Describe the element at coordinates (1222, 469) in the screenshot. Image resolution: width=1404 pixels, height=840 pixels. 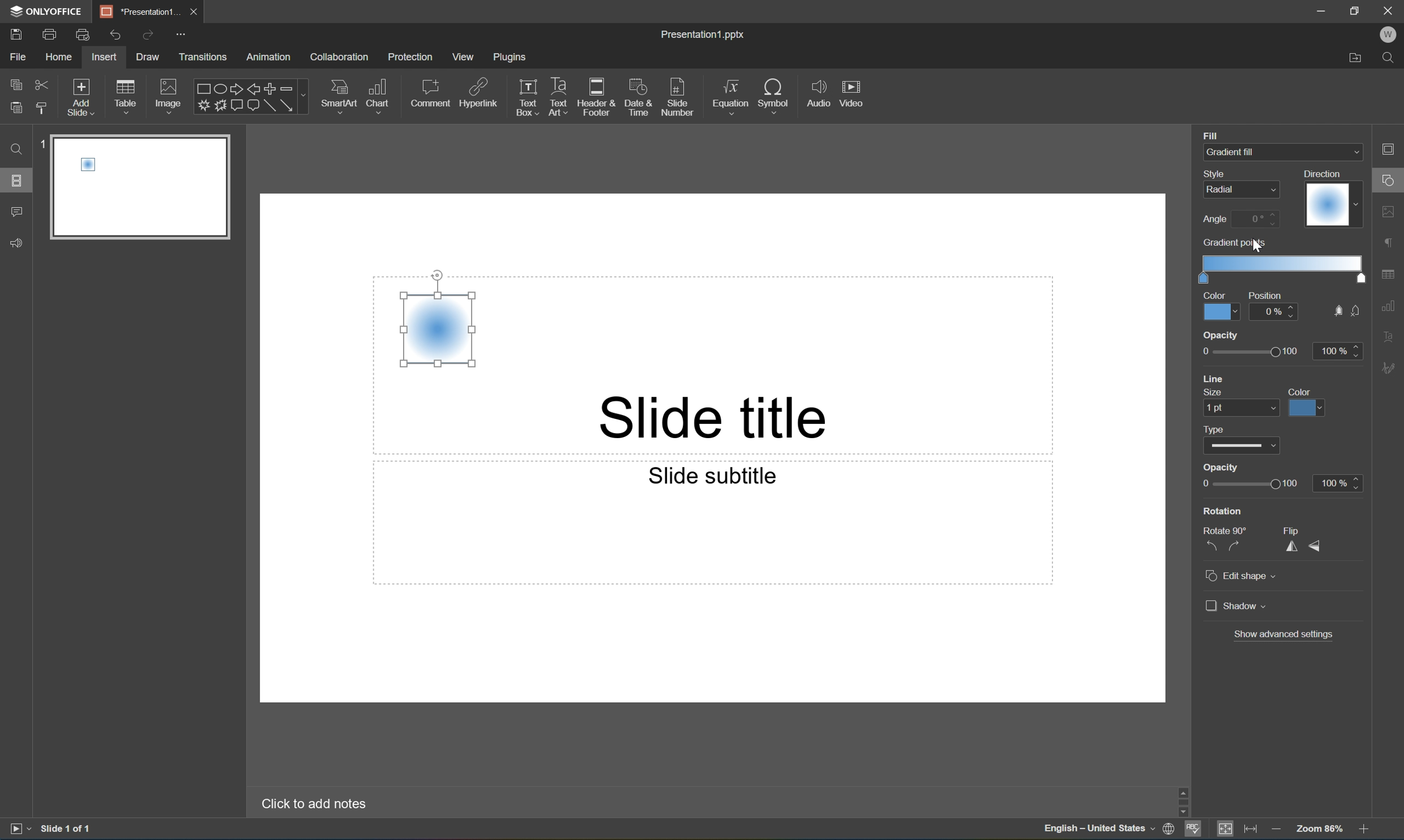
I see `Opacity` at that location.